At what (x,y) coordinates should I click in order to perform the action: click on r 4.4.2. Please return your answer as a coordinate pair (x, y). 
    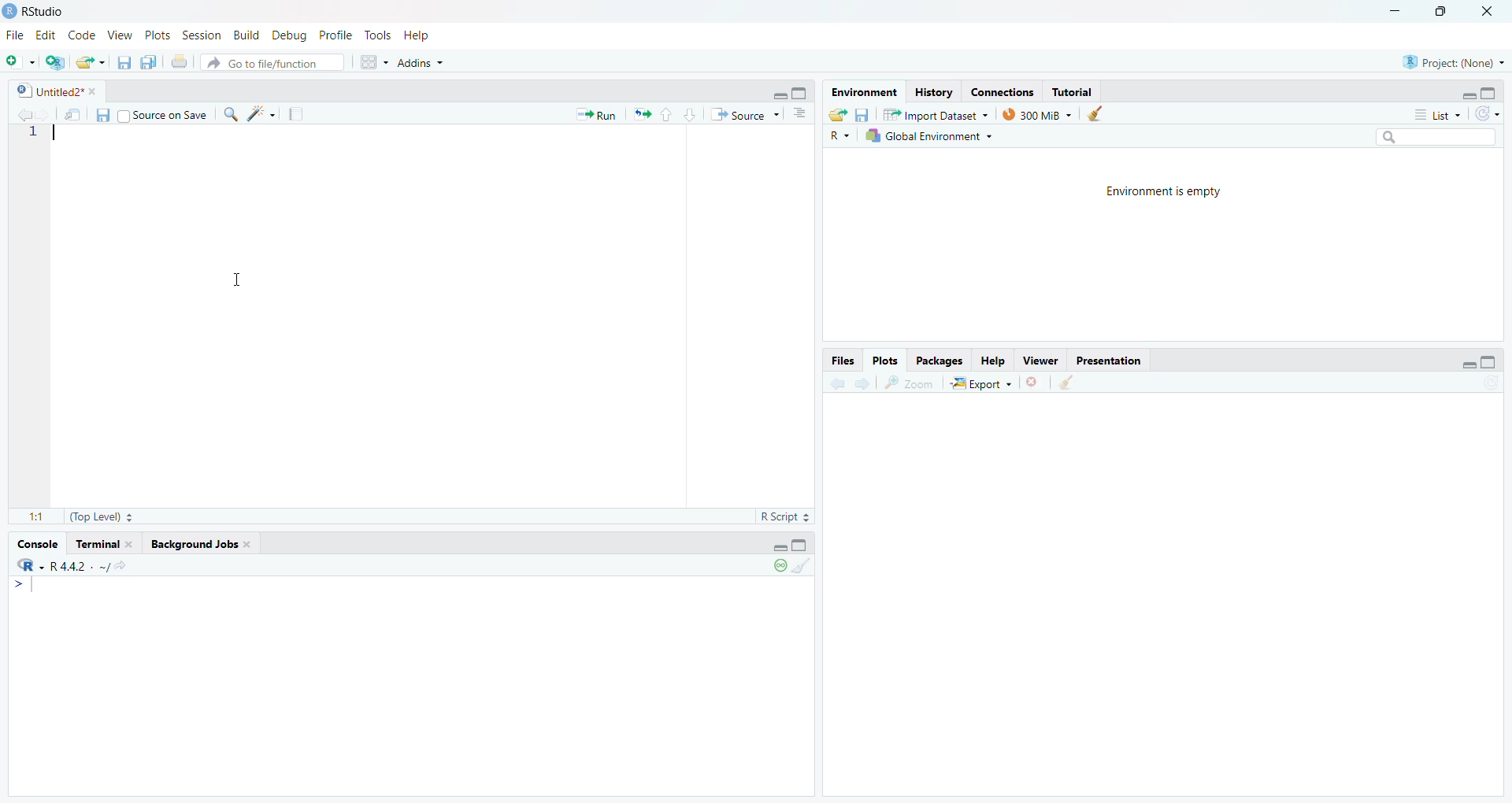
    Looking at the image, I should click on (79, 564).